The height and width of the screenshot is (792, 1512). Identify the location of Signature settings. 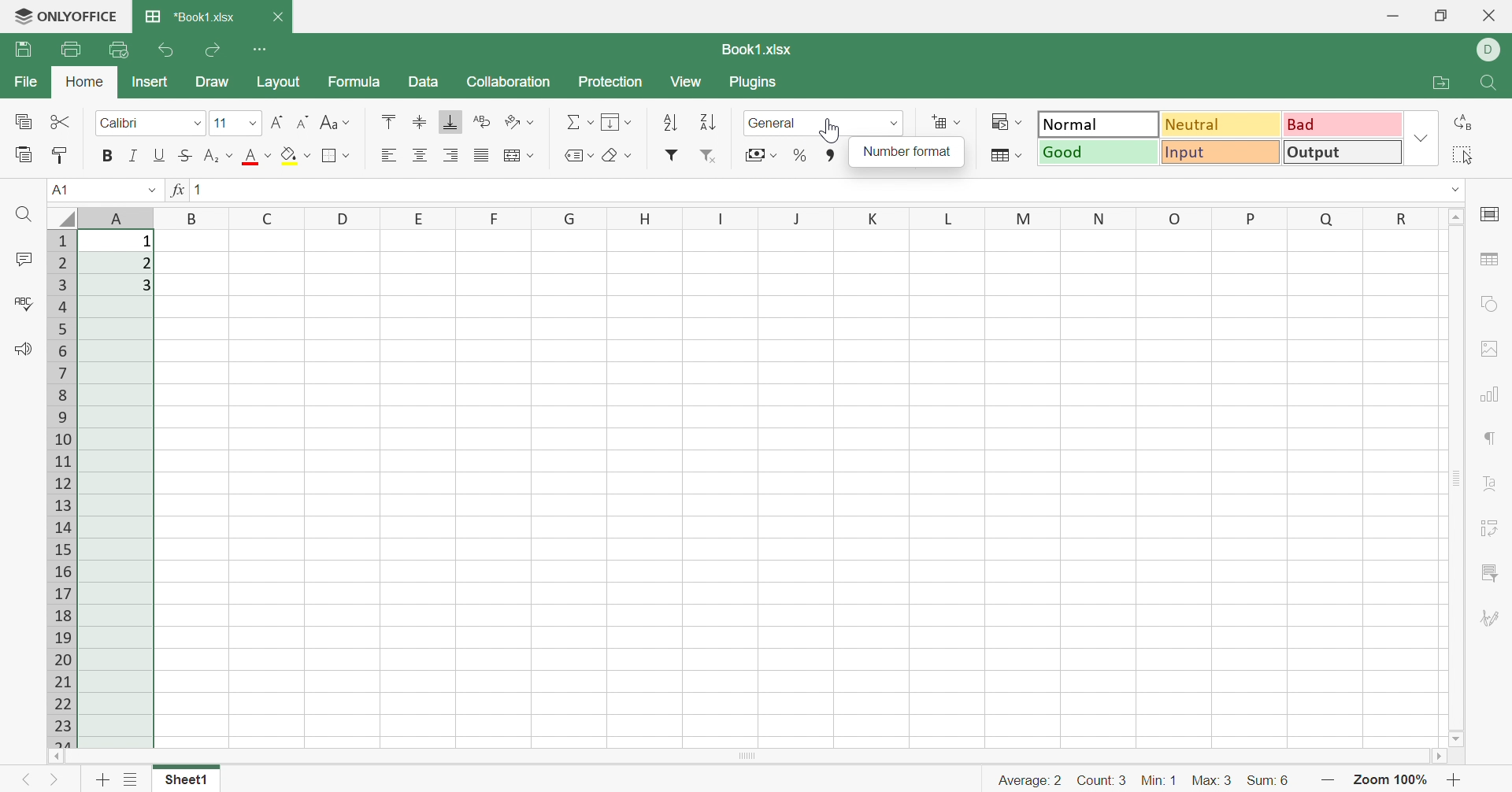
(1494, 621).